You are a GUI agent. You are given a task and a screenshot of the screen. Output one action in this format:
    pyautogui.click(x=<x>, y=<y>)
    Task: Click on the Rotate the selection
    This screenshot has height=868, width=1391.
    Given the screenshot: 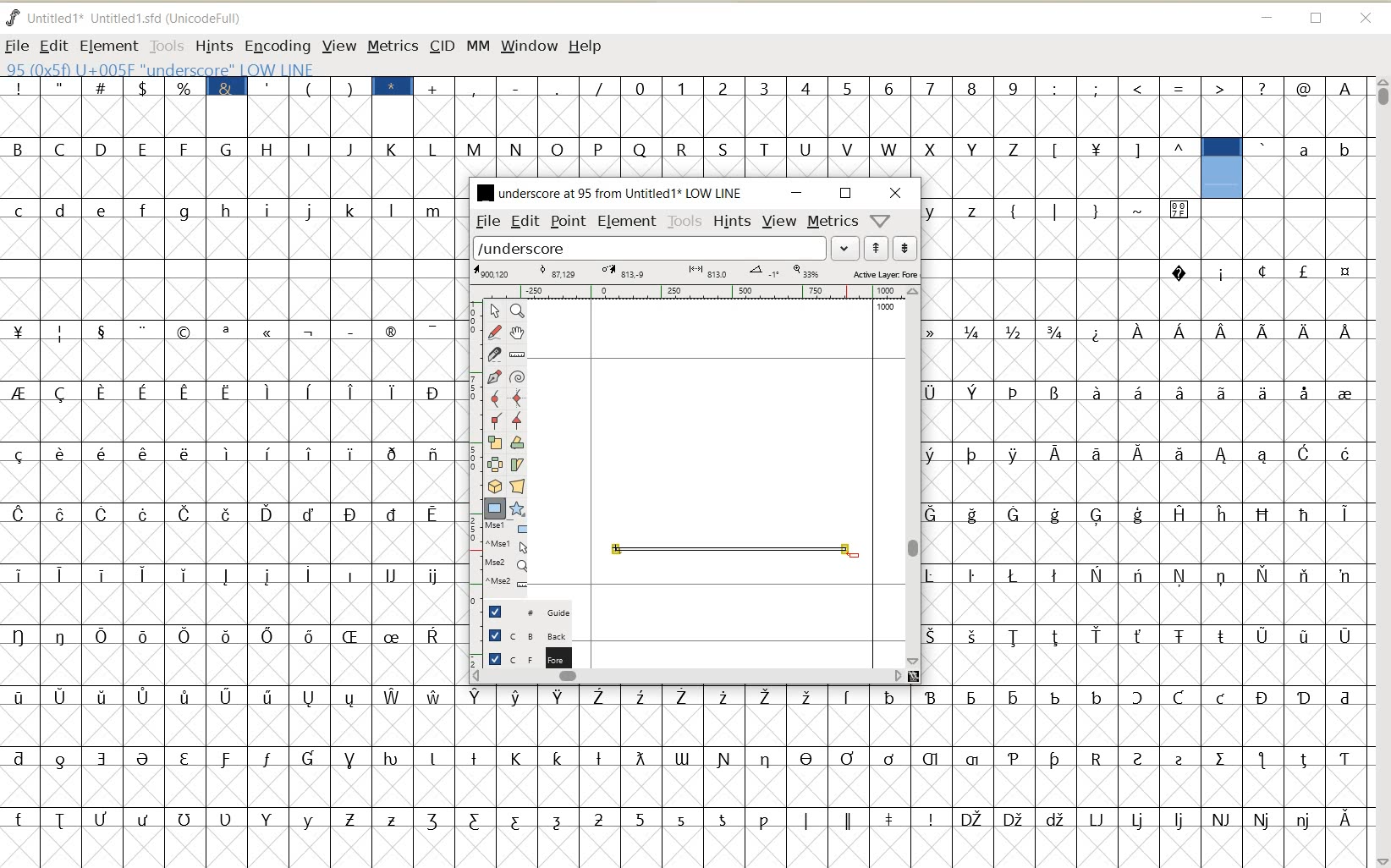 What is the action you would take?
    pyautogui.click(x=518, y=442)
    